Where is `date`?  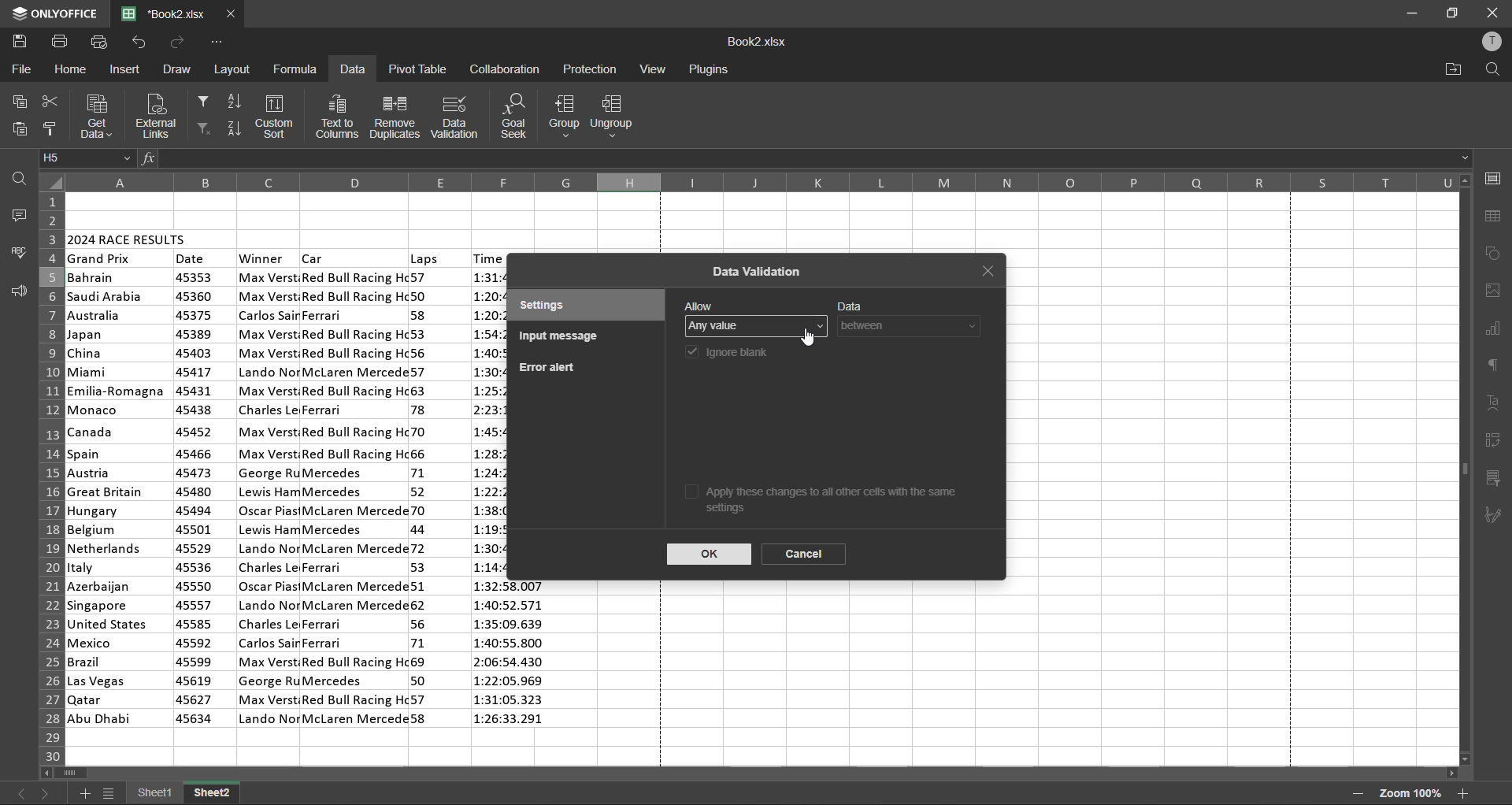
date is located at coordinates (191, 258).